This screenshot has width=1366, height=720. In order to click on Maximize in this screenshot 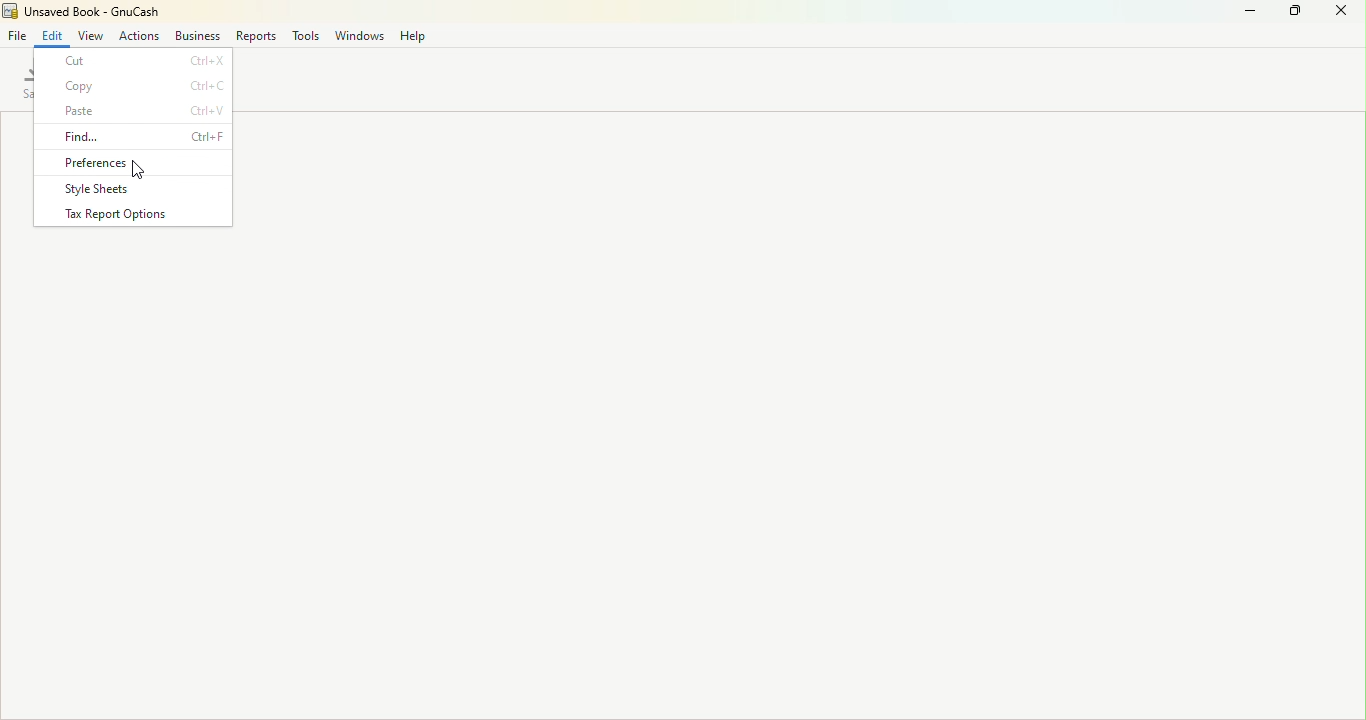, I will do `click(1293, 13)`.